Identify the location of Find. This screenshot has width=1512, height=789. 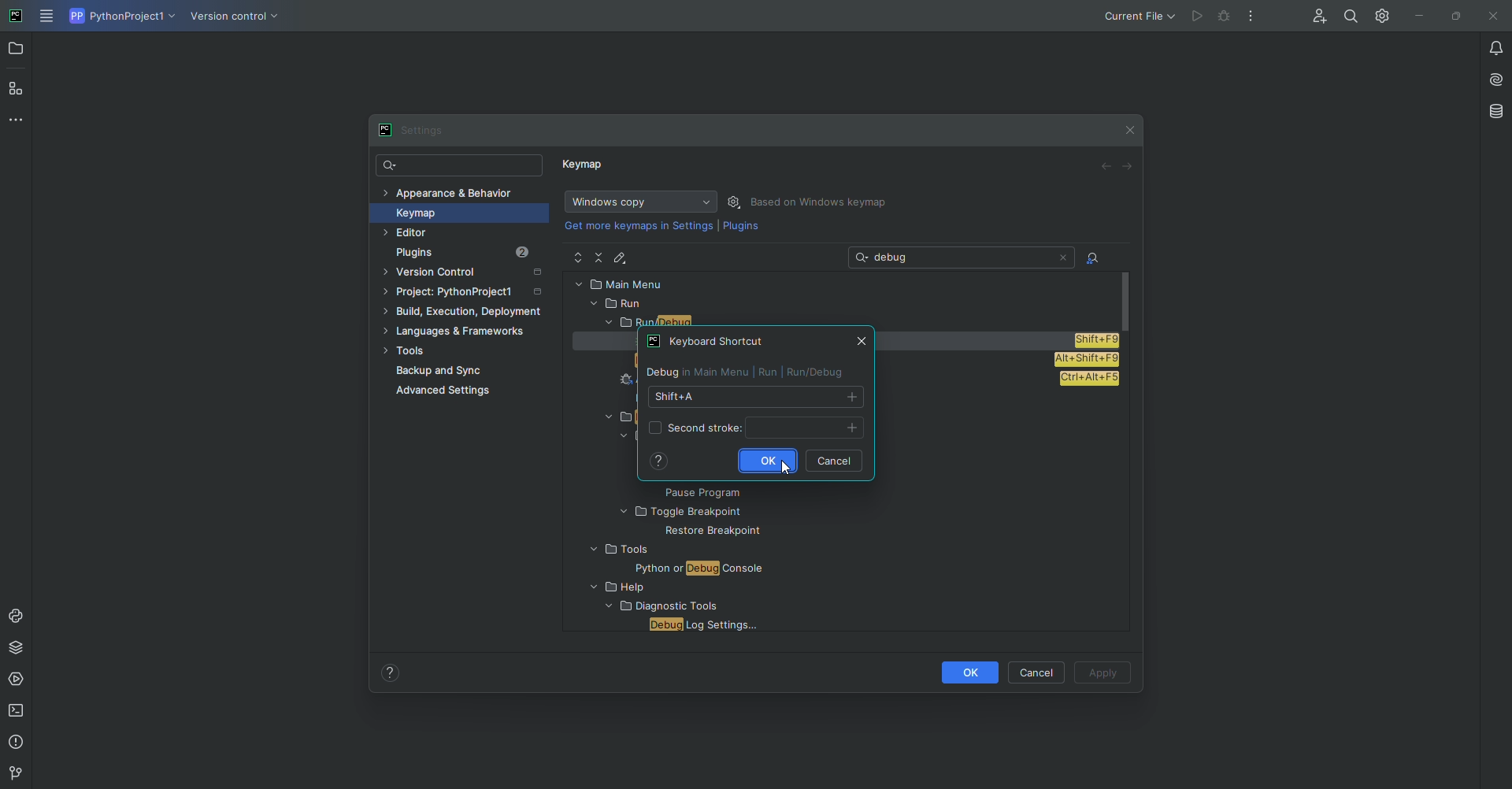
(1351, 16).